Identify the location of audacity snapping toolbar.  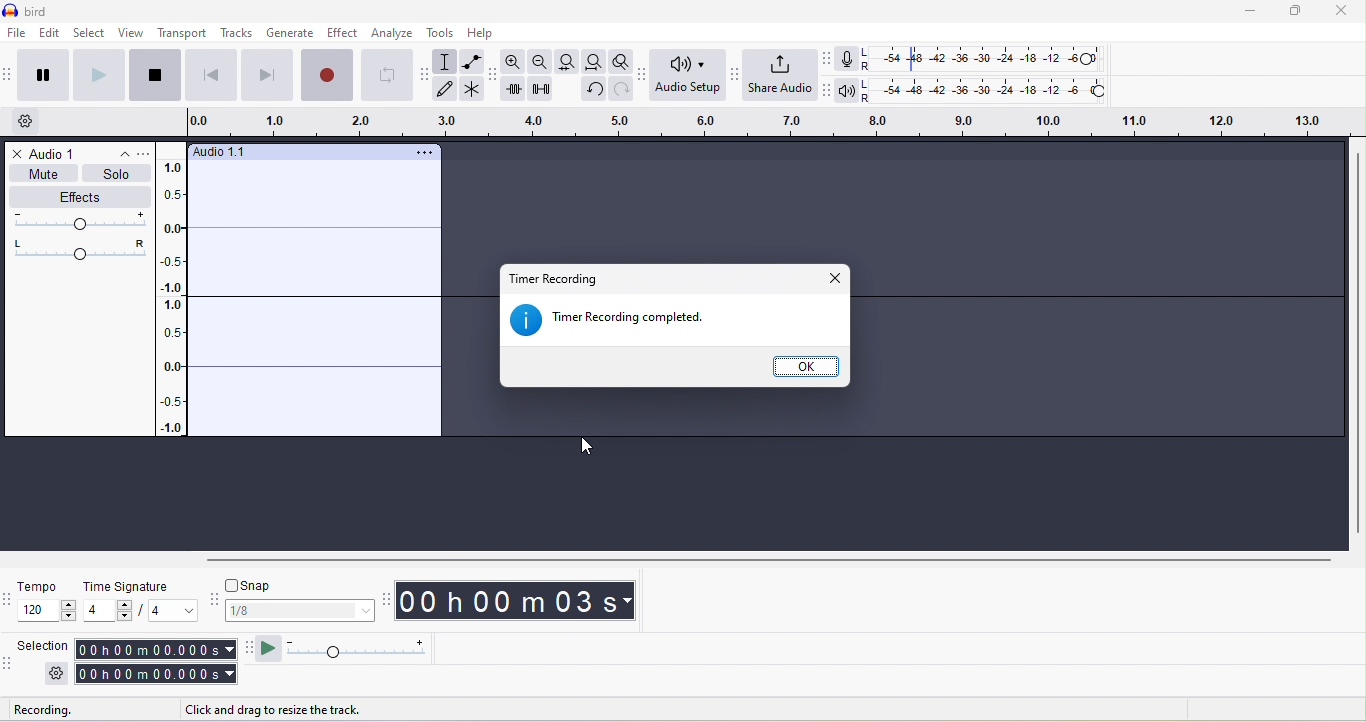
(214, 600).